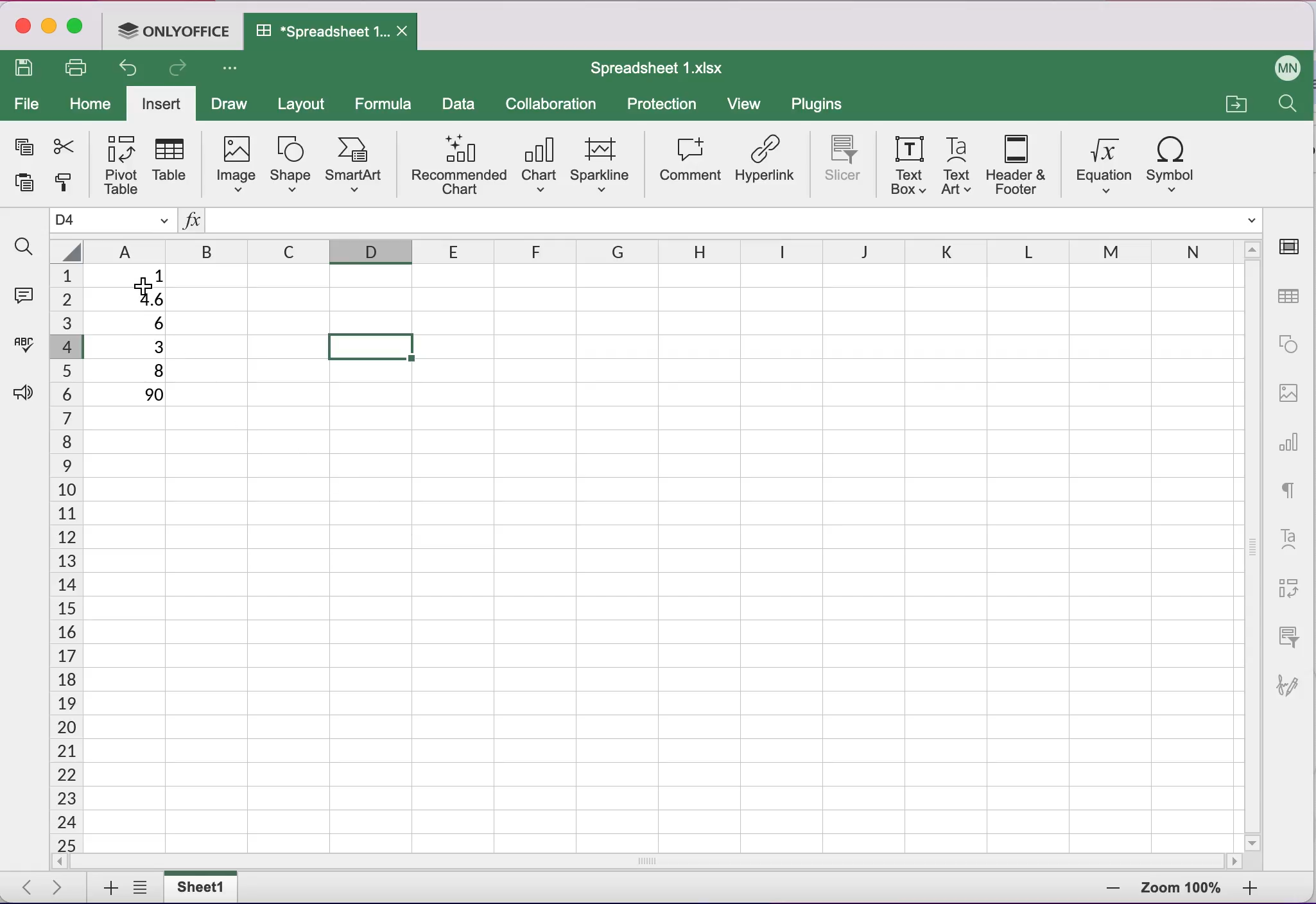 Image resolution: width=1316 pixels, height=904 pixels. I want to click on 8, so click(134, 369).